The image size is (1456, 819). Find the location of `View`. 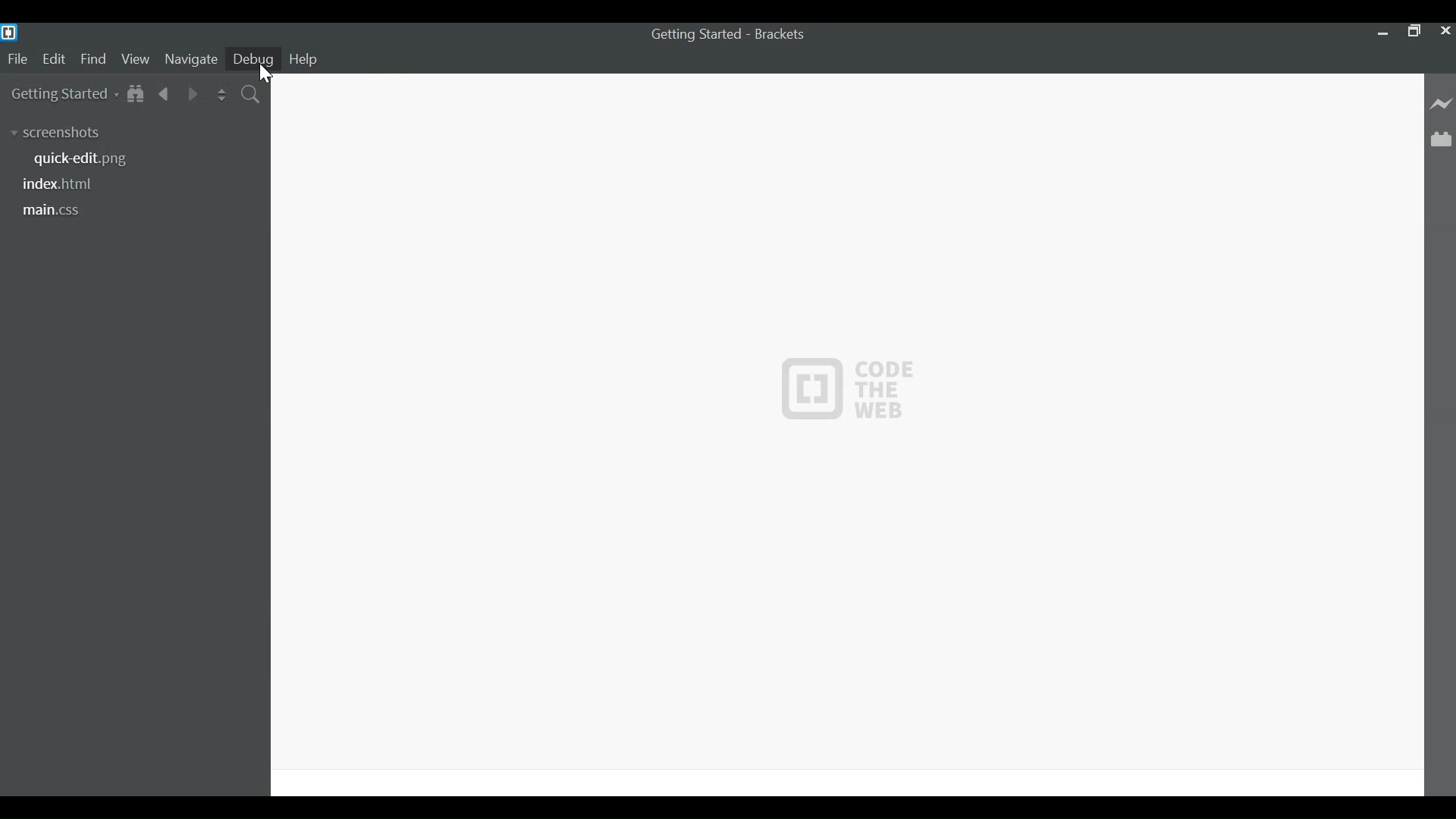

View is located at coordinates (136, 60).